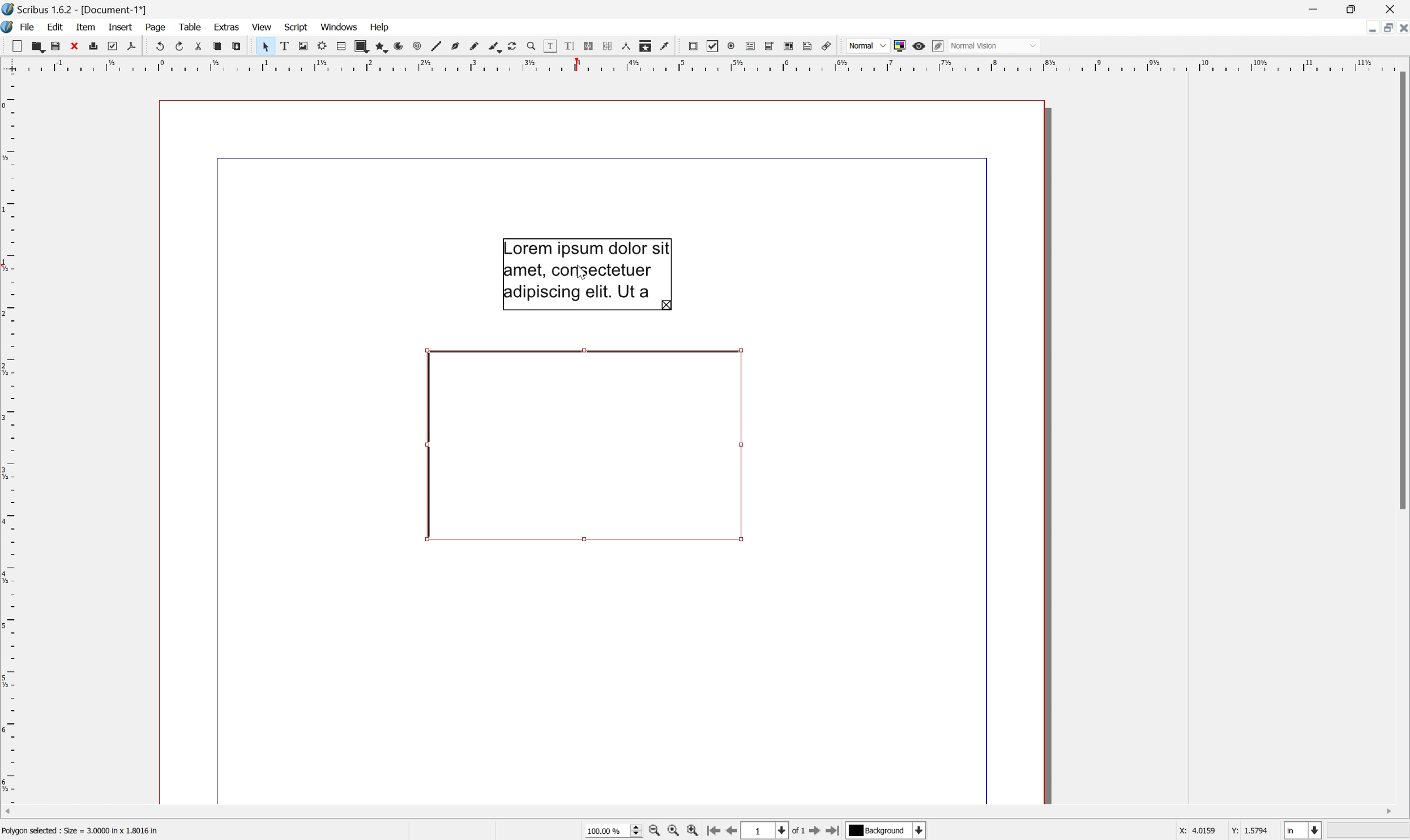  What do you see at coordinates (179, 46) in the screenshot?
I see `Redo` at bounding box center [179, 46].